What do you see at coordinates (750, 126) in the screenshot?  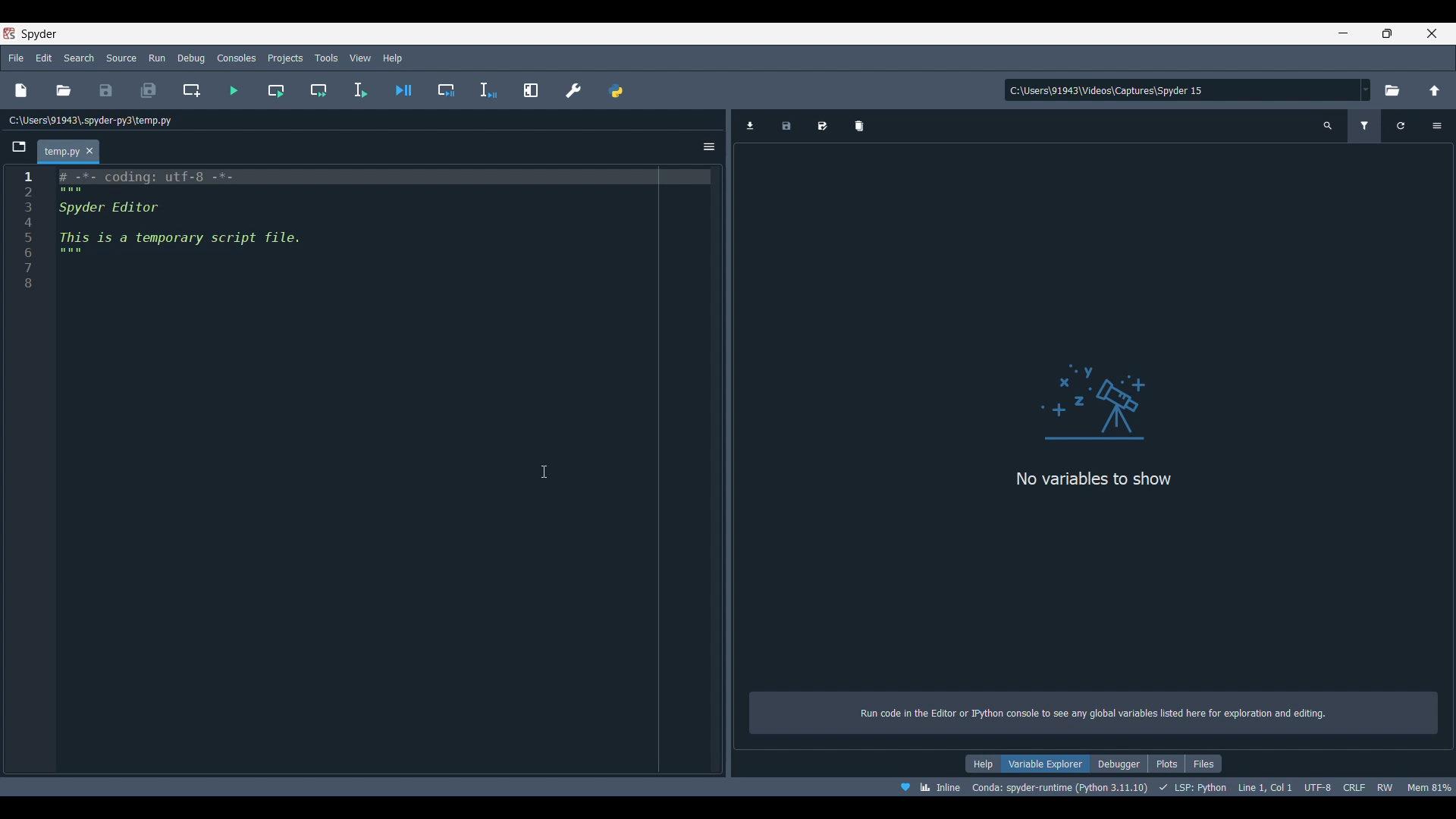 I see `Import data` at bounding box center [750, 126].